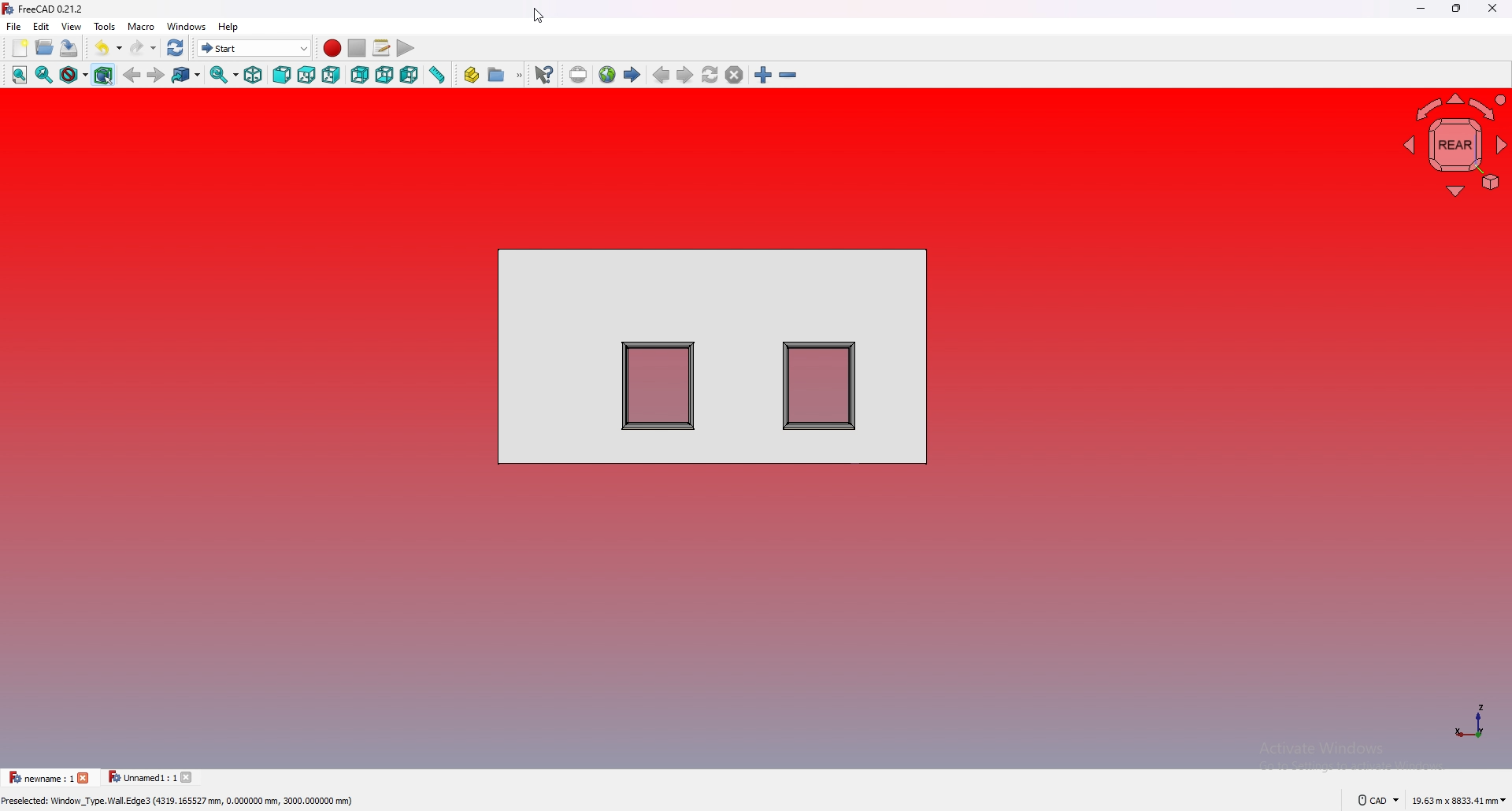 This screenshot has width=1512, height=811. Describe the element at coordinates (151, 778) in the screenshot. I see `tab 2` at that location.